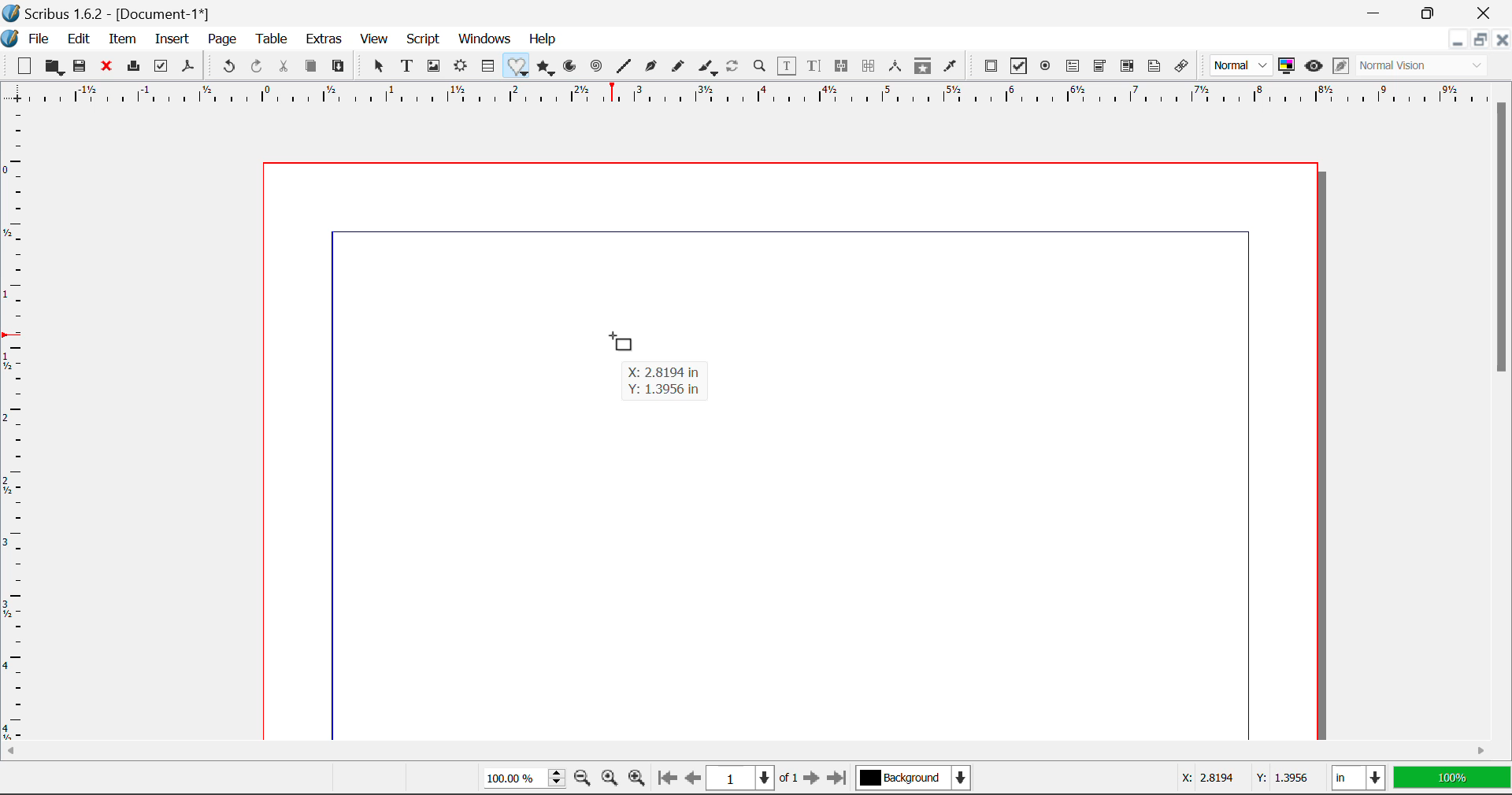 Image resolution: width=1512 pixels, height=795 pixels. I want to click on Arcs, so click(569, 66).